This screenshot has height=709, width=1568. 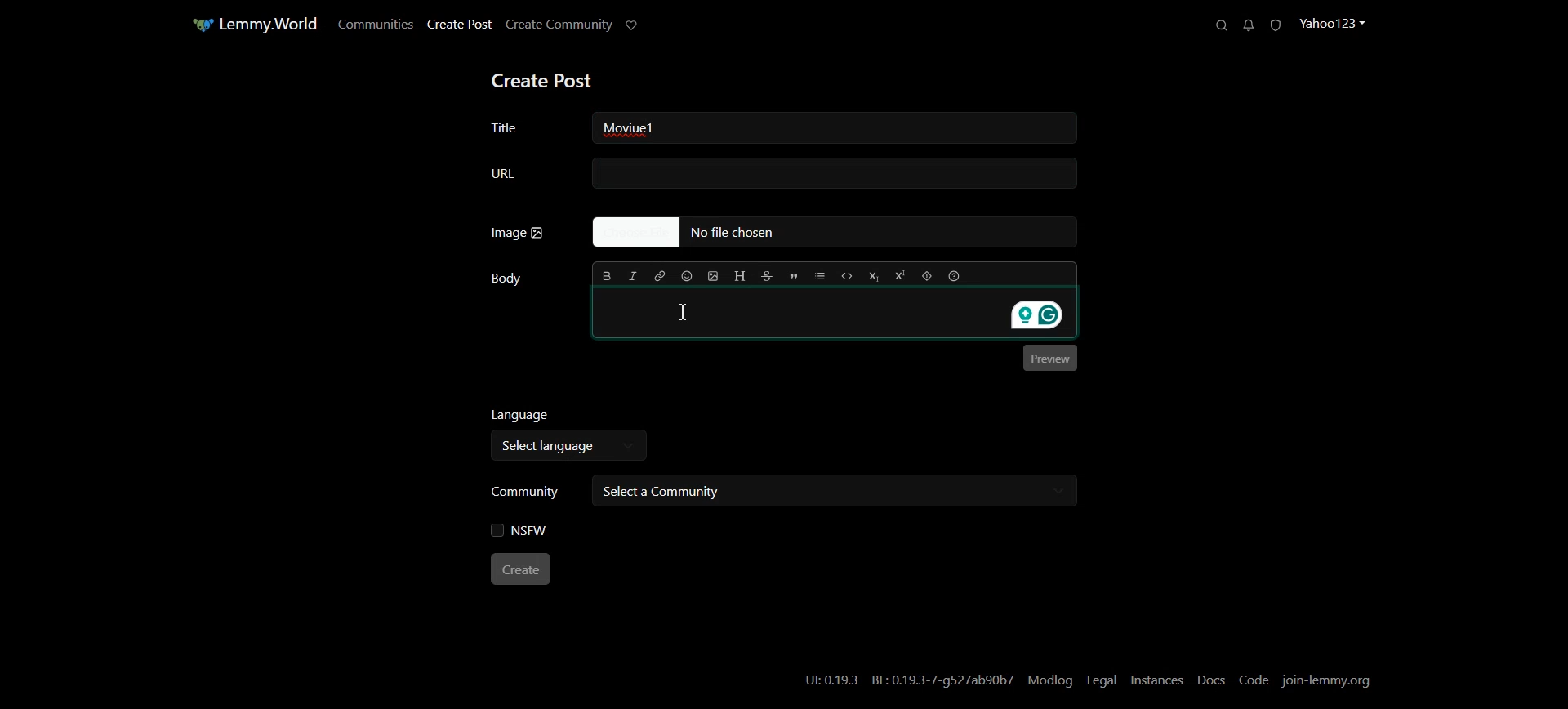 What do you see at coordinates (636, 26) in the screenshot?
I see `Support Limmy` at bounding box center [636, 26].